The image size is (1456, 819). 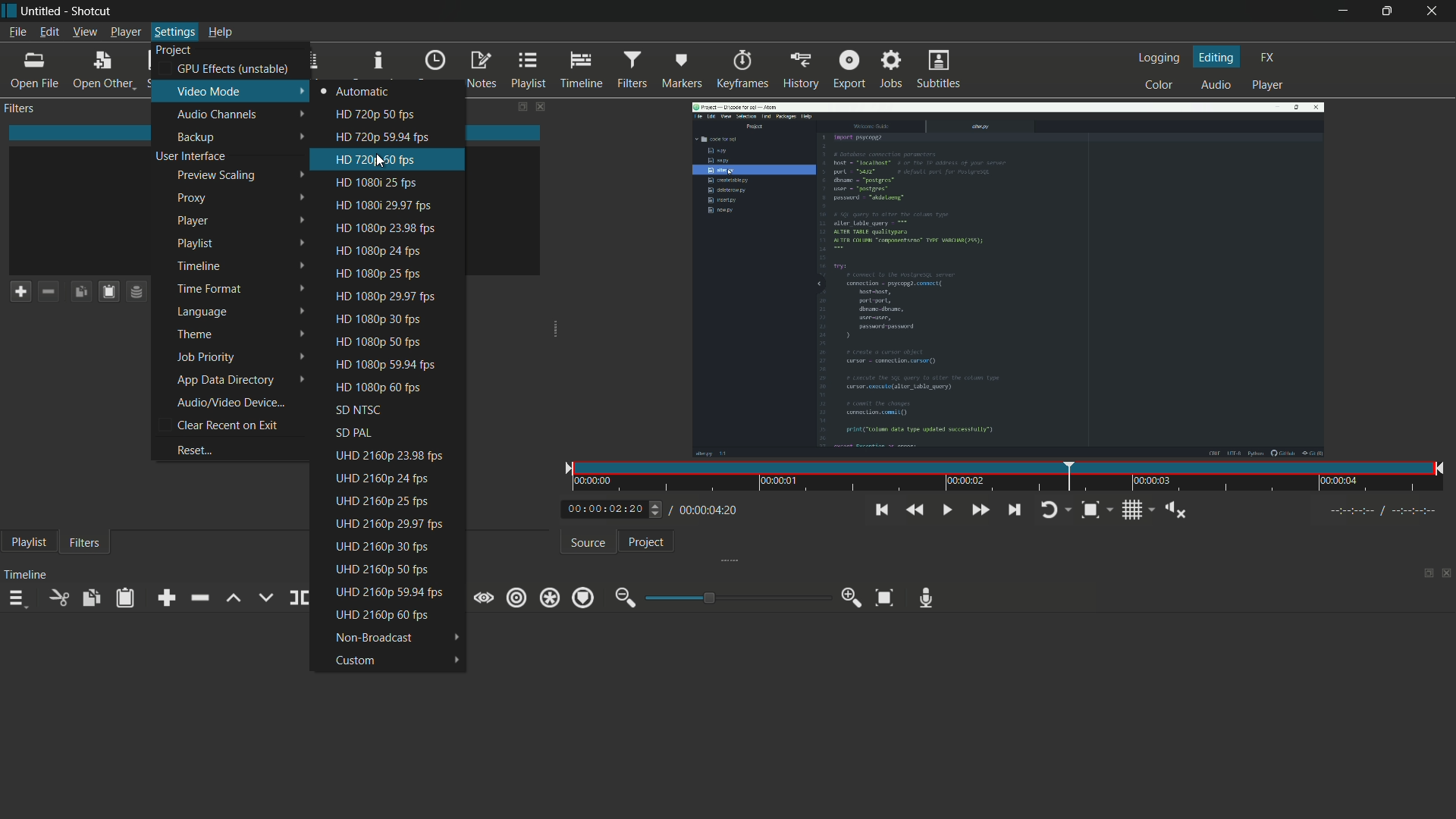 What do you see at coordinates (389, 342) in the screenshot?
I see `hd 1080p 50 fps` at bounding box center [389, 342].